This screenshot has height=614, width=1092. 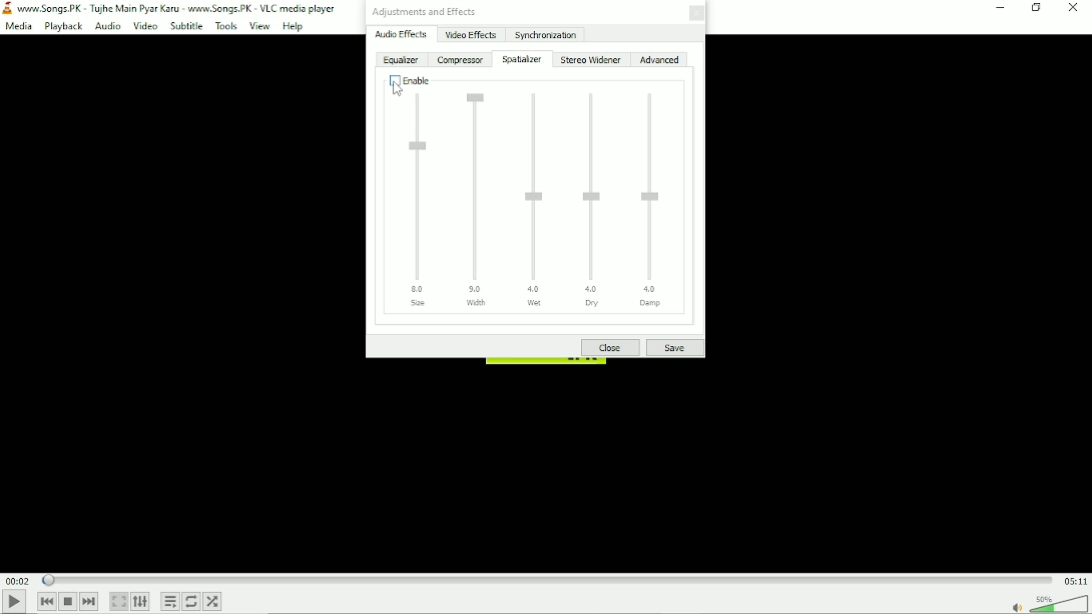 I want to click on Elapsed time, so click(x=17, y=581).